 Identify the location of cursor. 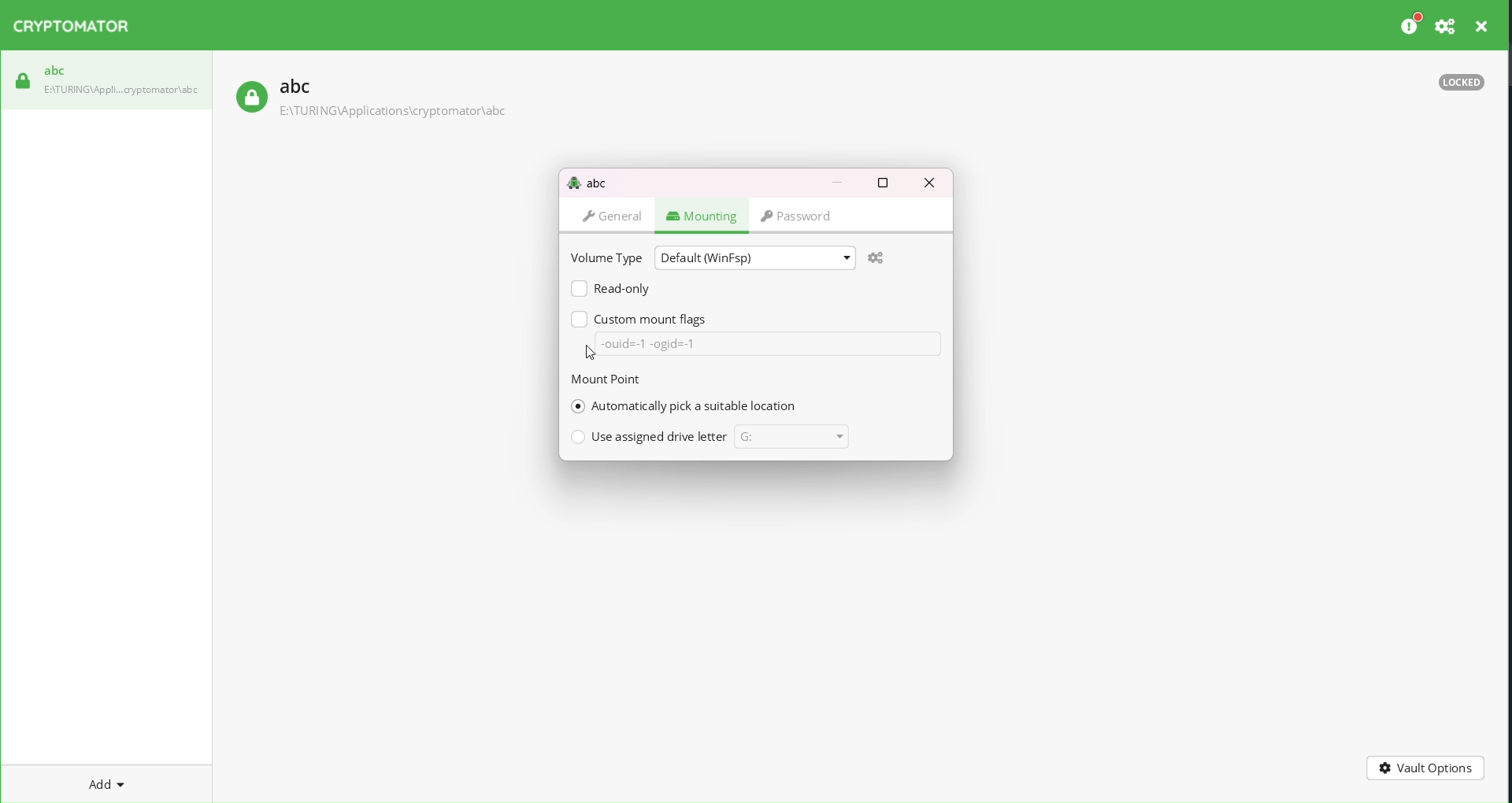
(586, 354).